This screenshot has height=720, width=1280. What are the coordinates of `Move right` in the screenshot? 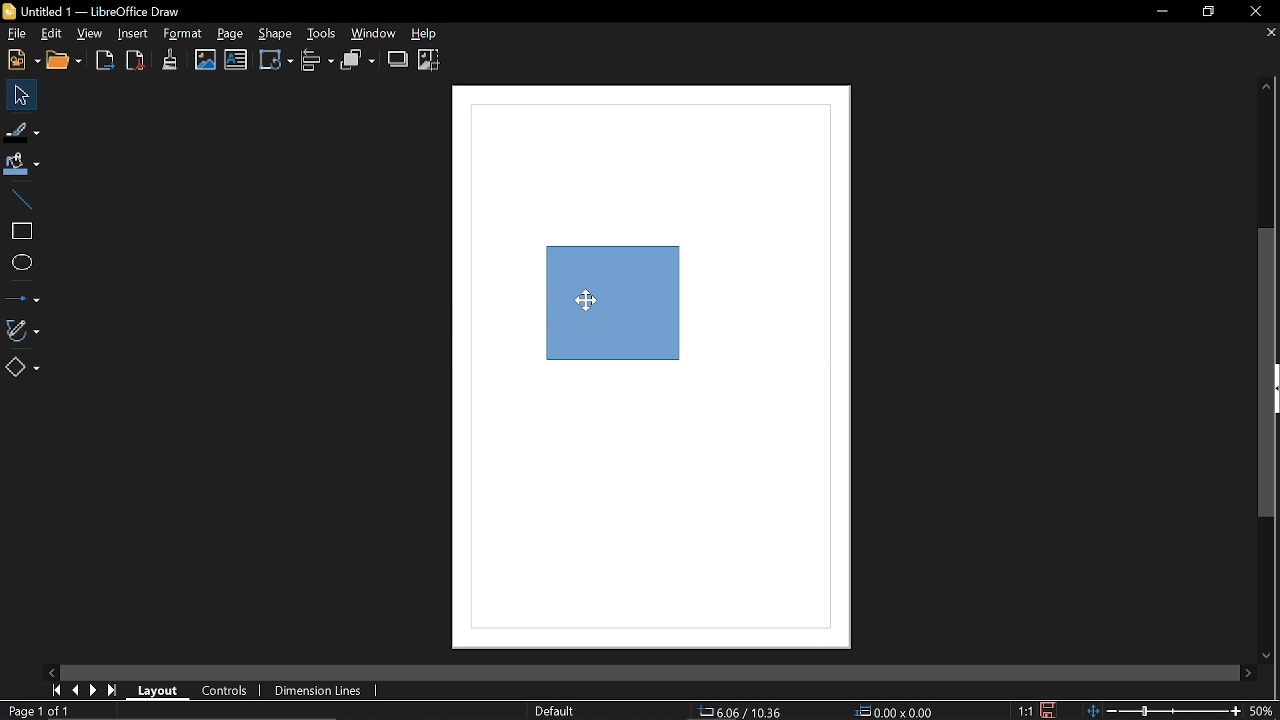 It's located at (1246, 673).